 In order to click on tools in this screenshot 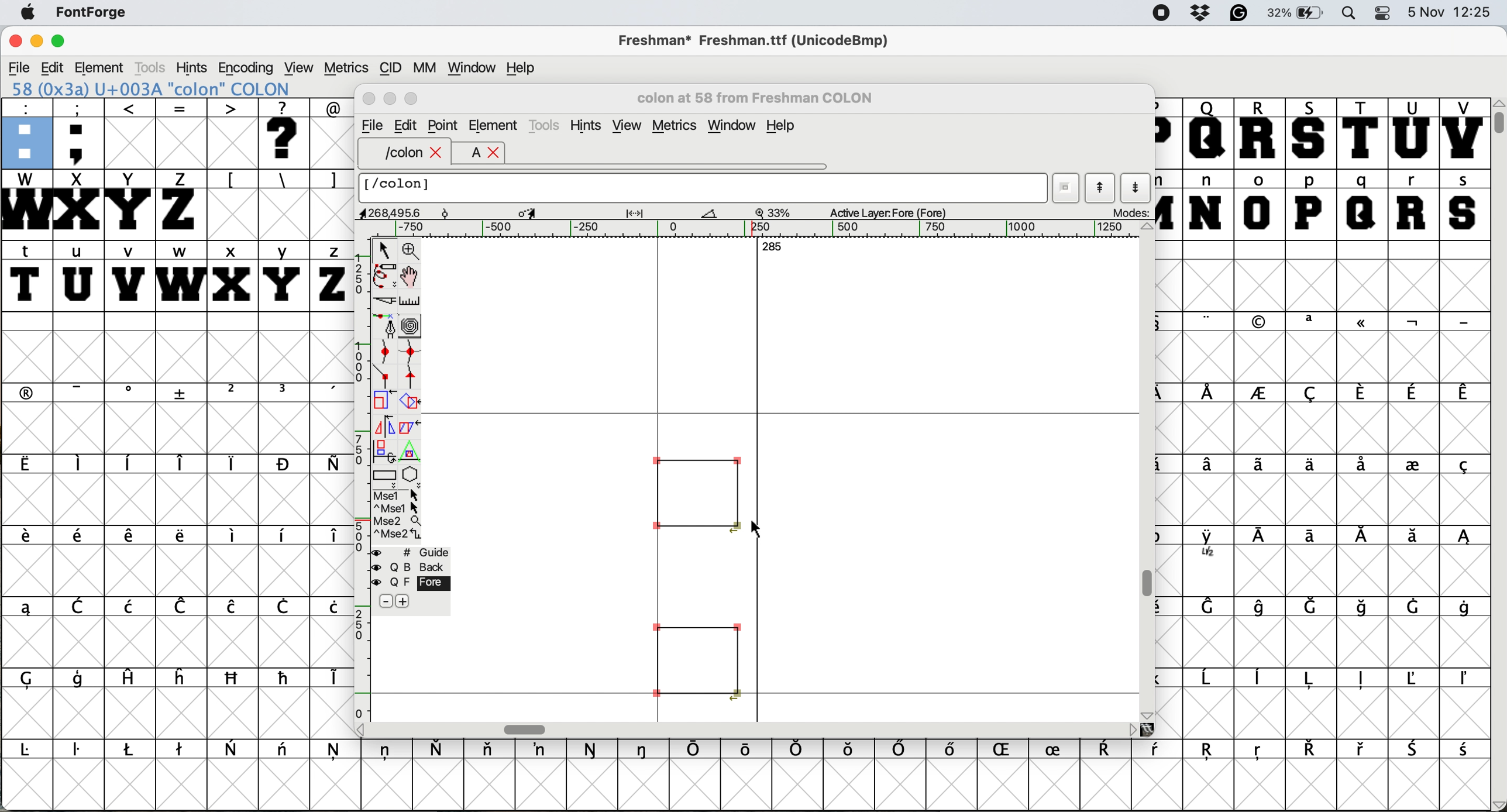, I will do `click(155, 66)`.